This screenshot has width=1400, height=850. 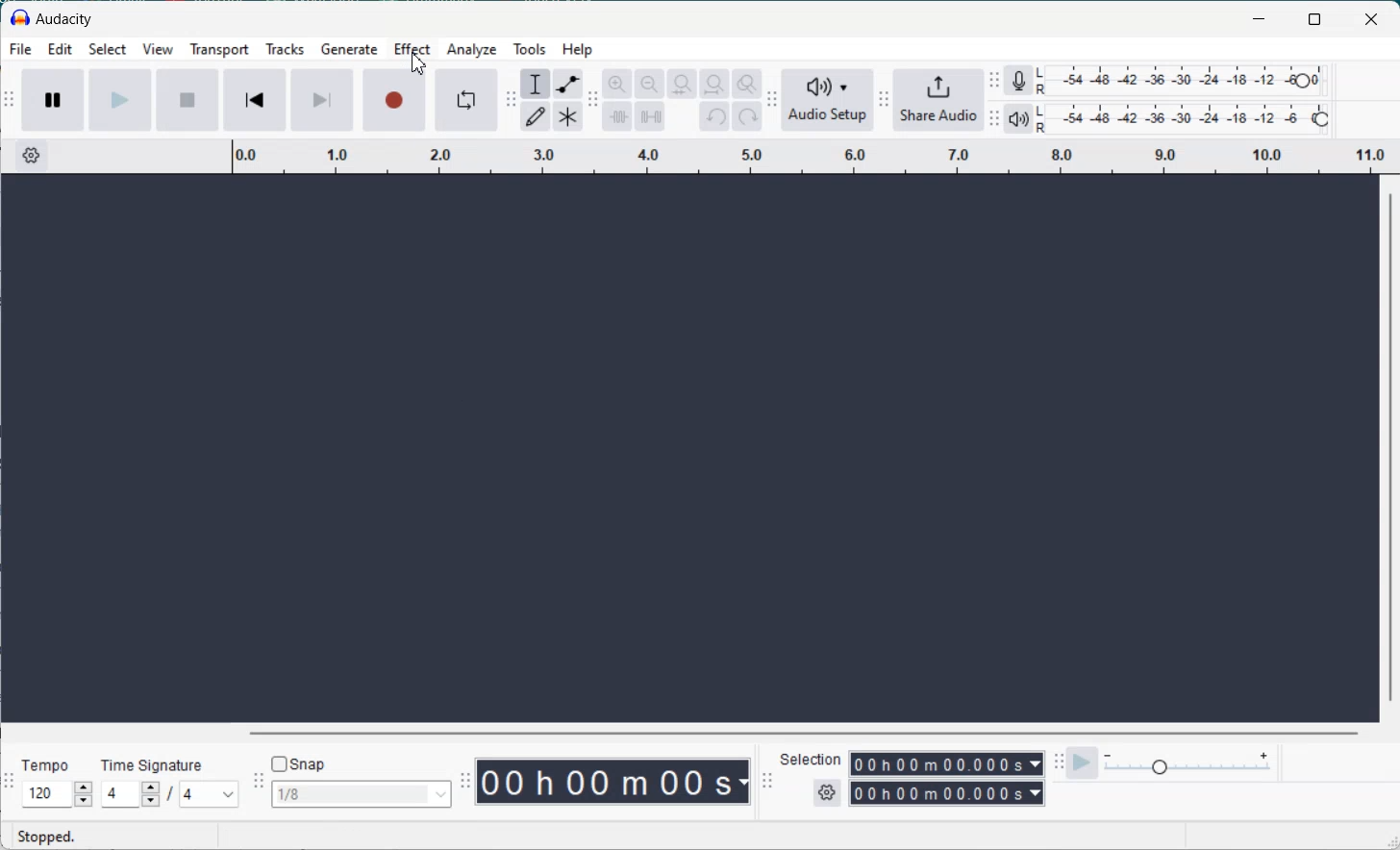 What do you see at coordinates (1058, 762) in the screenshot?
I see `Audacity pay at speed toolbar` at bounding box center [1058, 762].